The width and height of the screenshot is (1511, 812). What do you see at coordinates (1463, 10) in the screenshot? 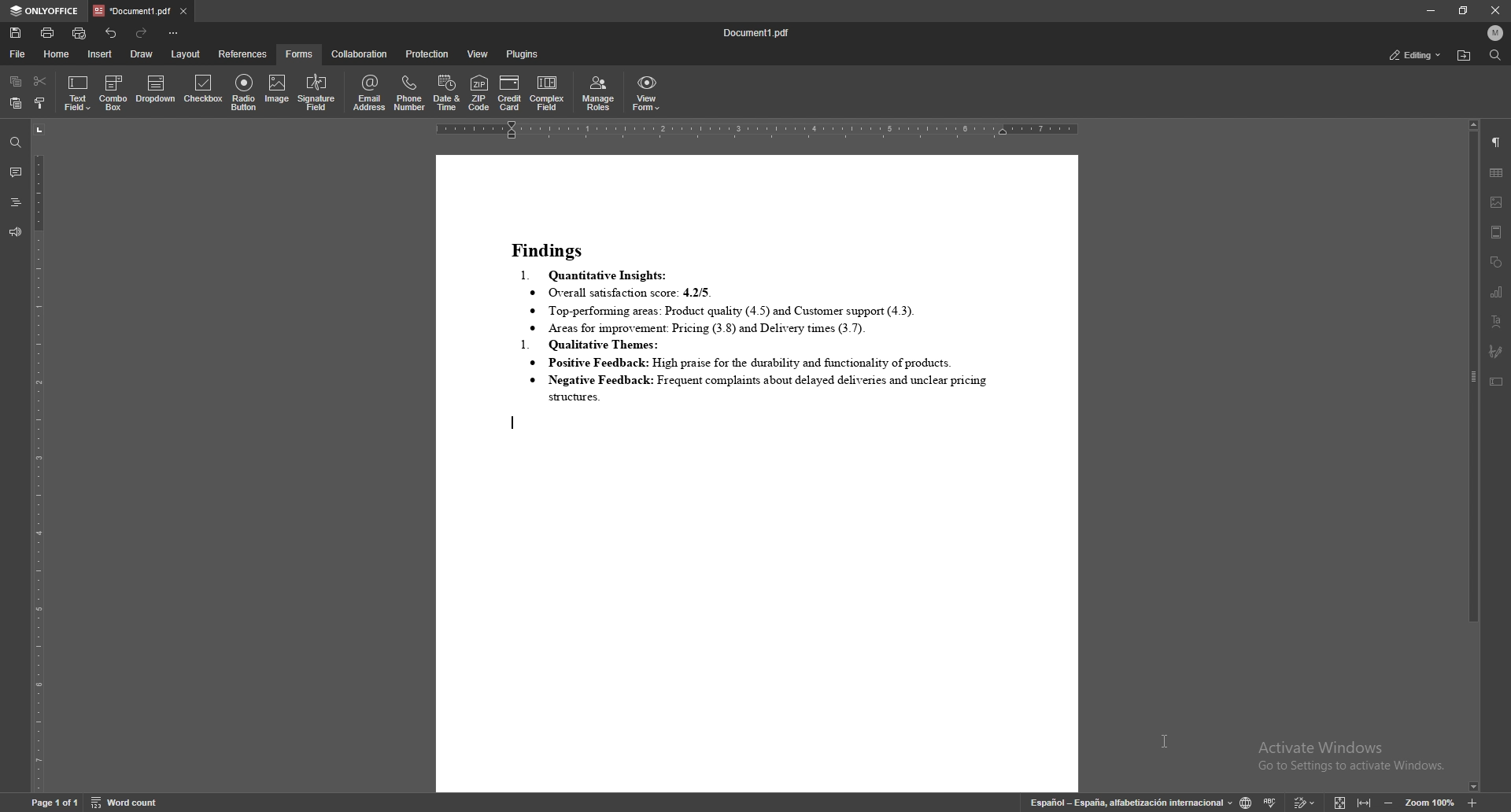
I see `resize` at bounding box center [1463, 10].